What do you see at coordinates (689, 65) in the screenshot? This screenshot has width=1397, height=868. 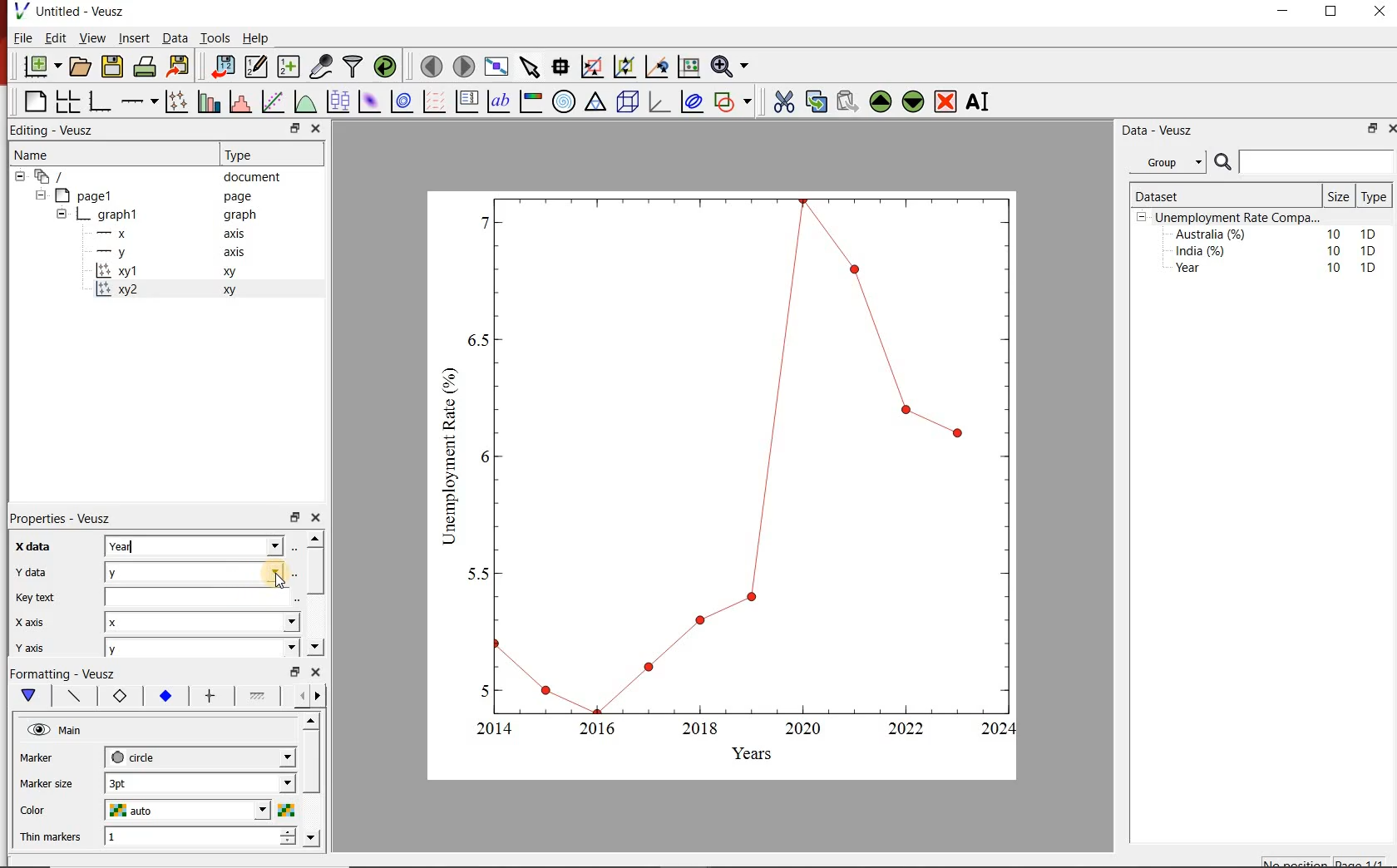 I see `click to resset graph axes` at bounding box center [689, 65].